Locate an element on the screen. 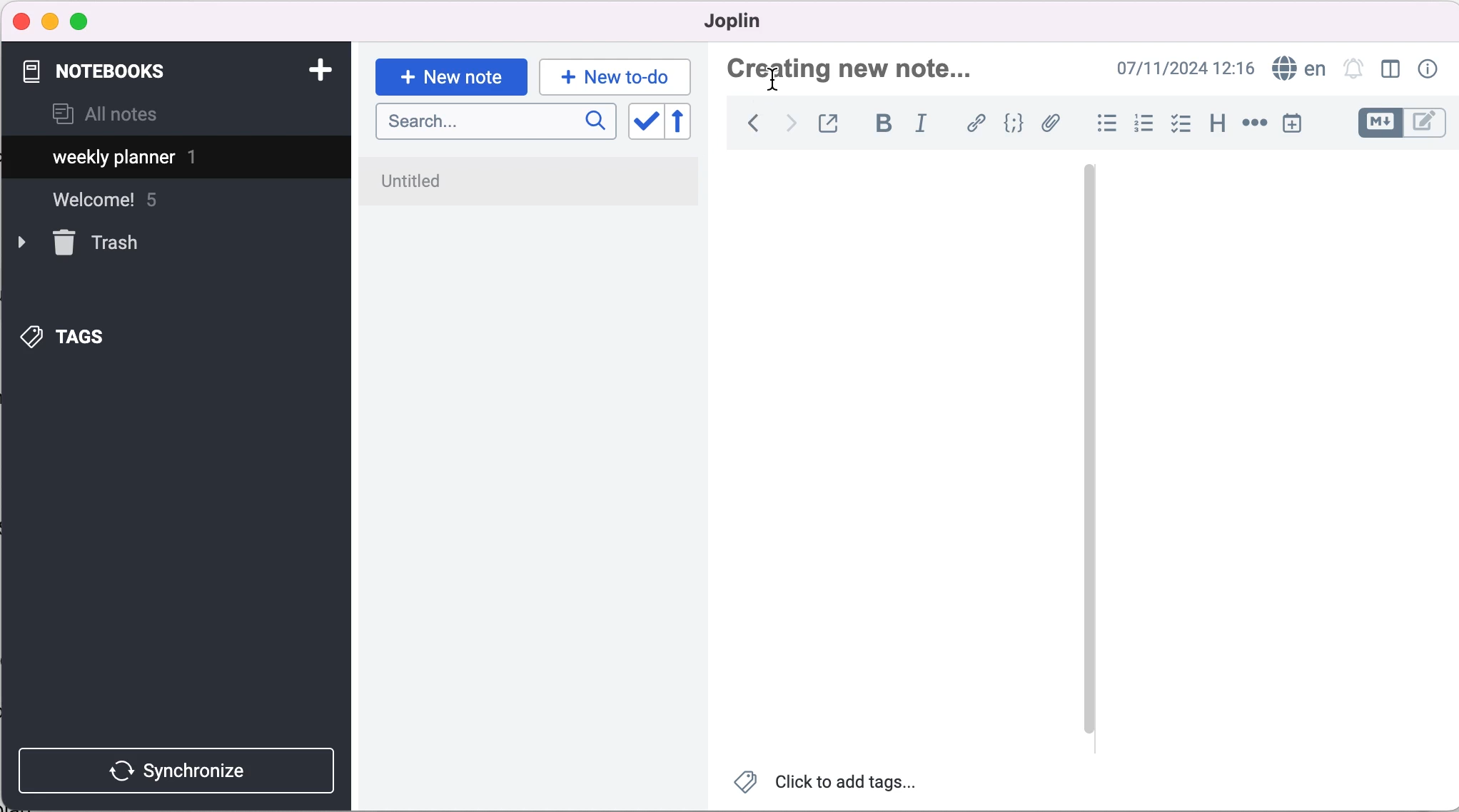 This screenshot has width=1459, height=812. hyperlink is located at coordinates (977, 126).